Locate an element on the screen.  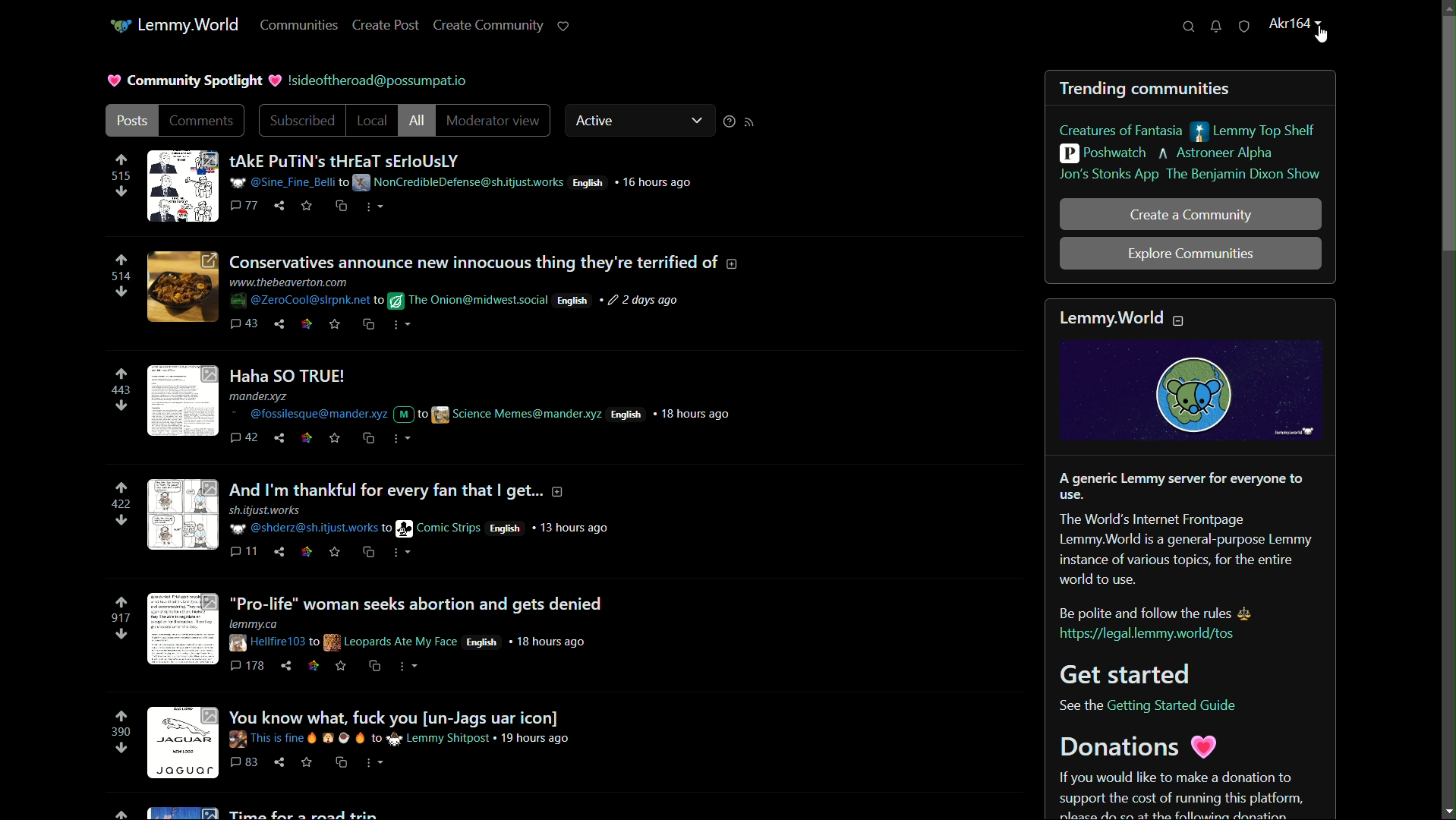
sorting help is located at coordinates (730, 124).